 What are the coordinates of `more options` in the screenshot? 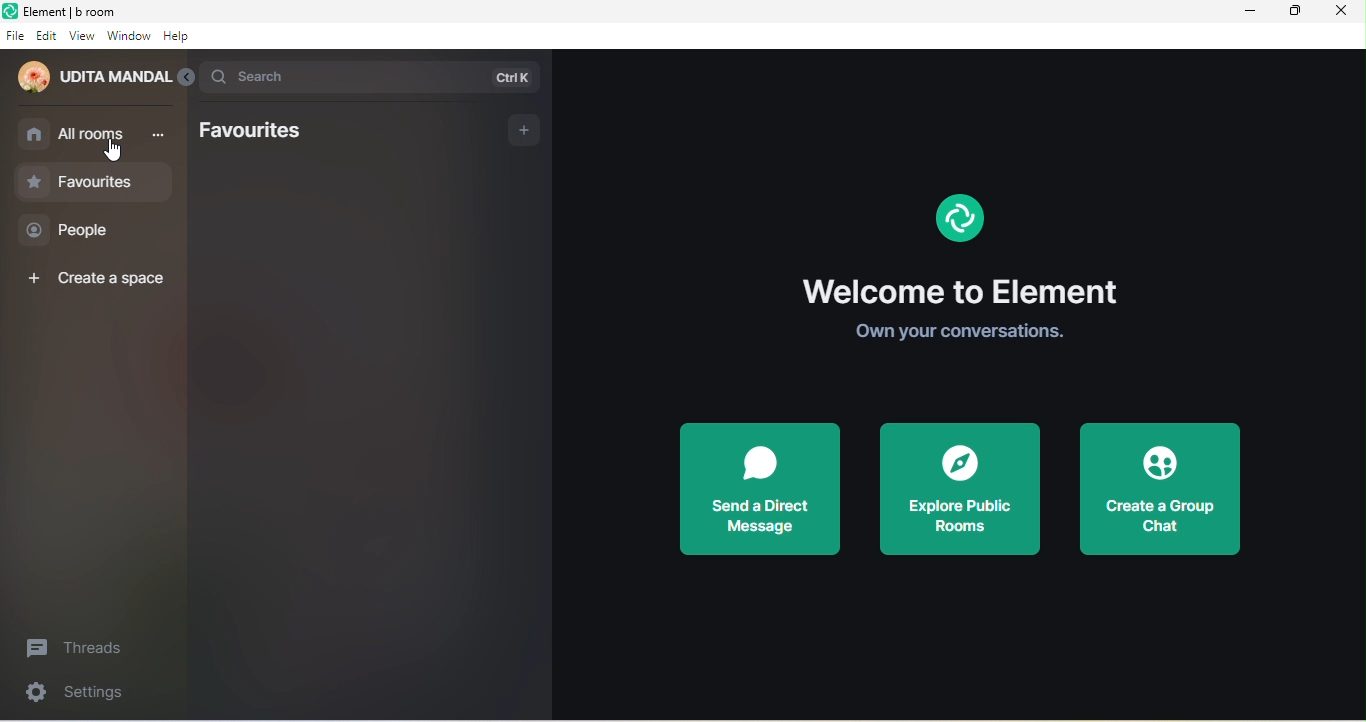 It's located at (156, 136).